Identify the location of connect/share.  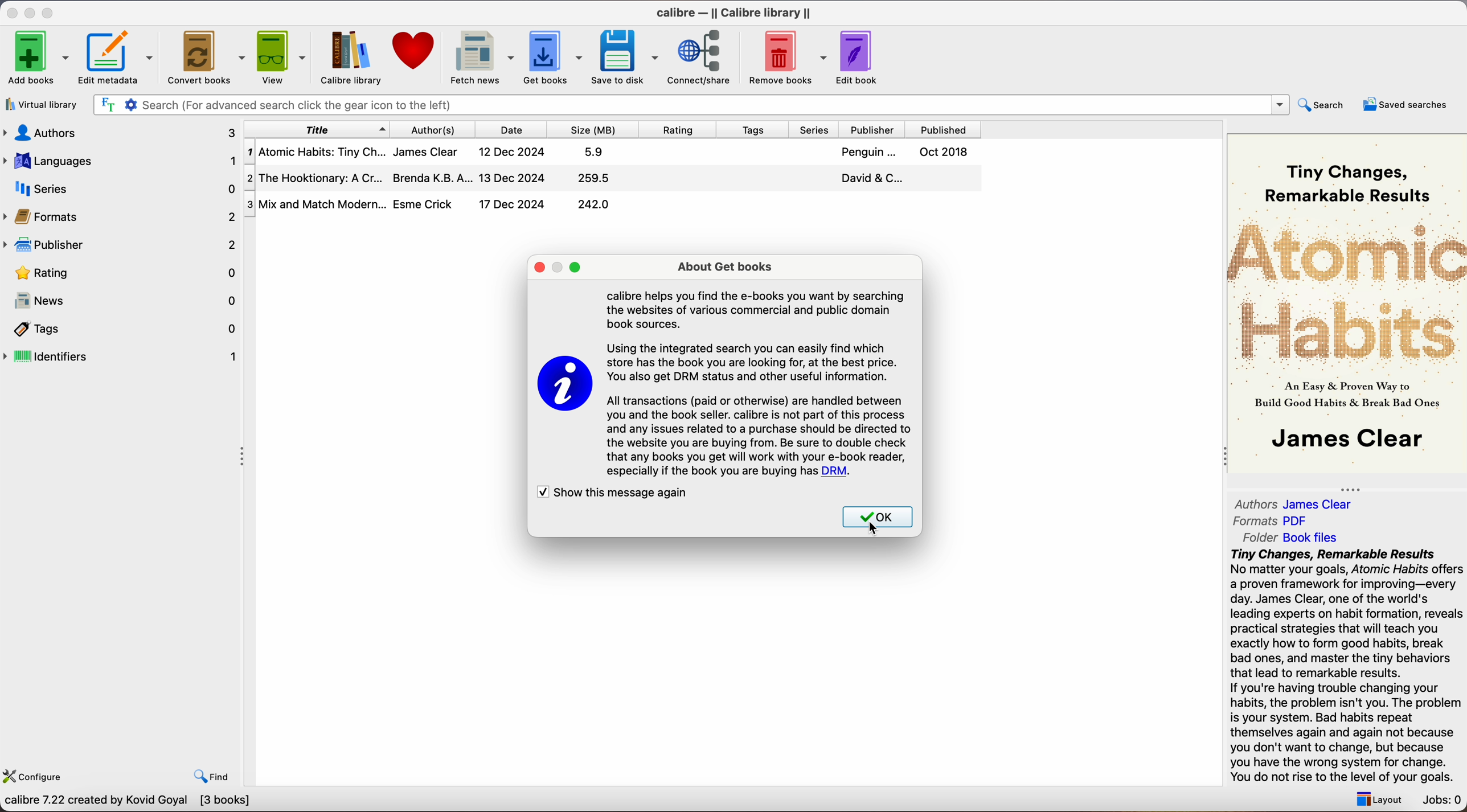
(703, 56).